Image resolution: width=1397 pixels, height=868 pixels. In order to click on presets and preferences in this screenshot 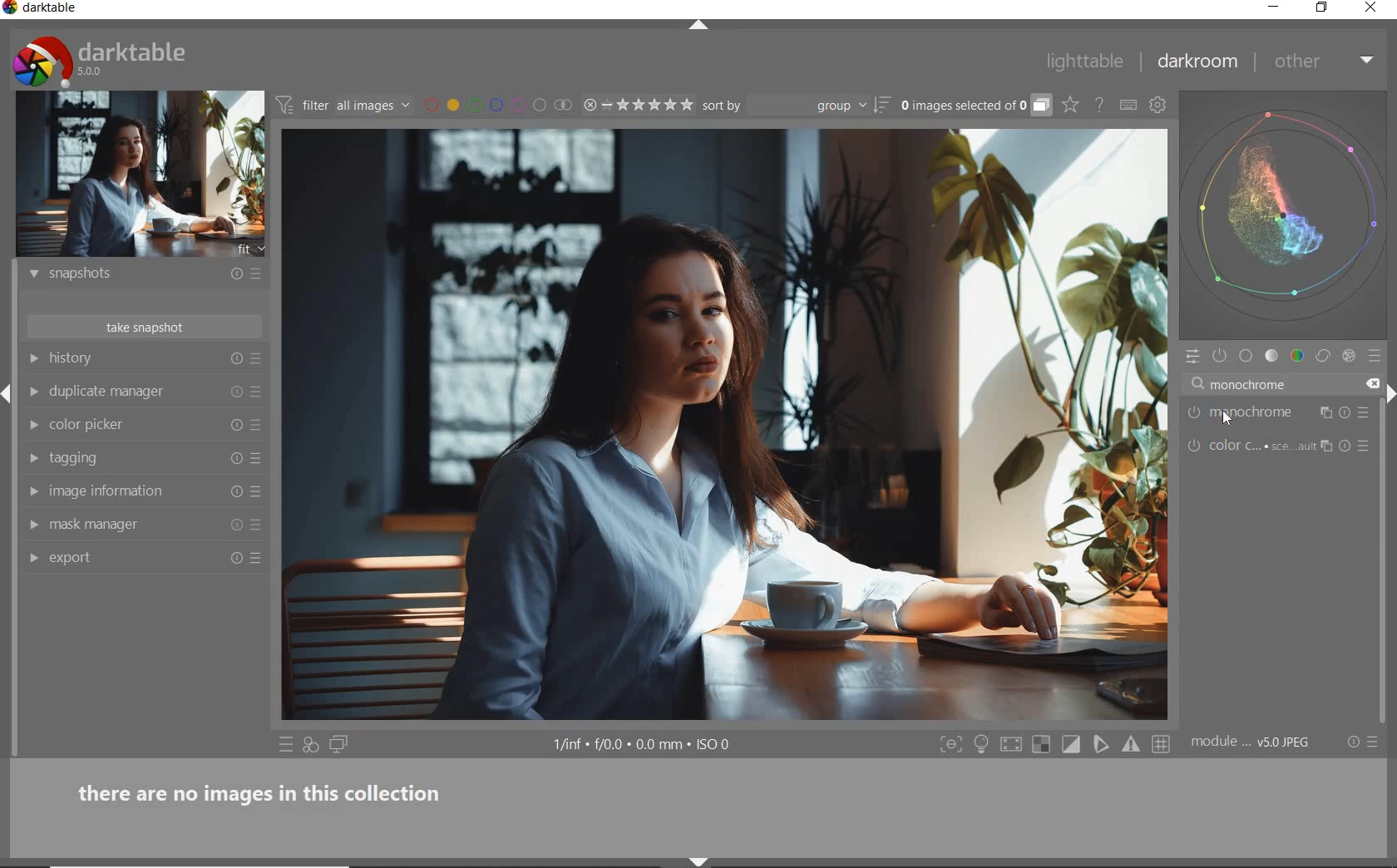, I will do `click(255, 359)`.